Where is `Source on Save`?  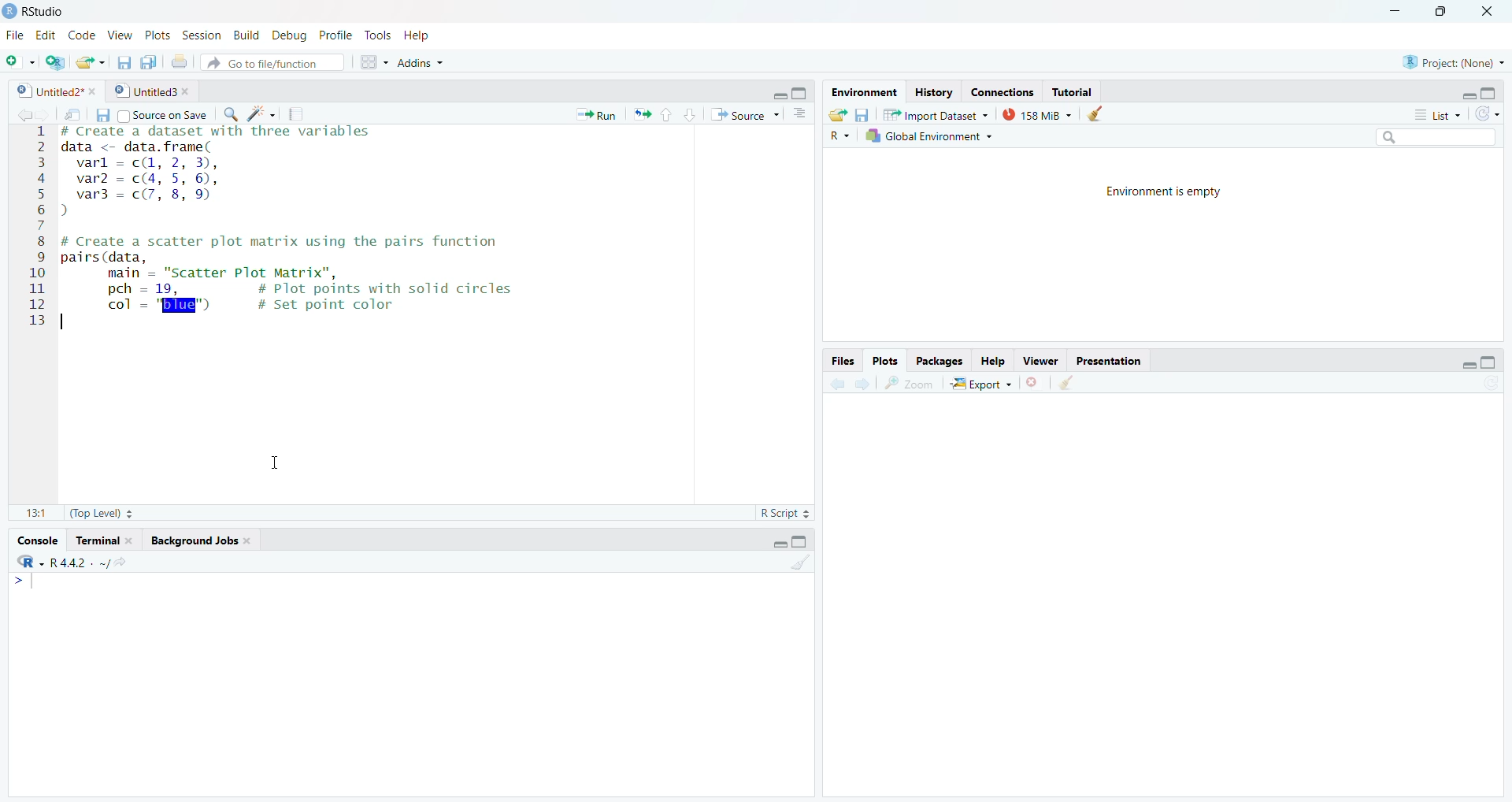
Source on Save is located at coordinates (166, 114).